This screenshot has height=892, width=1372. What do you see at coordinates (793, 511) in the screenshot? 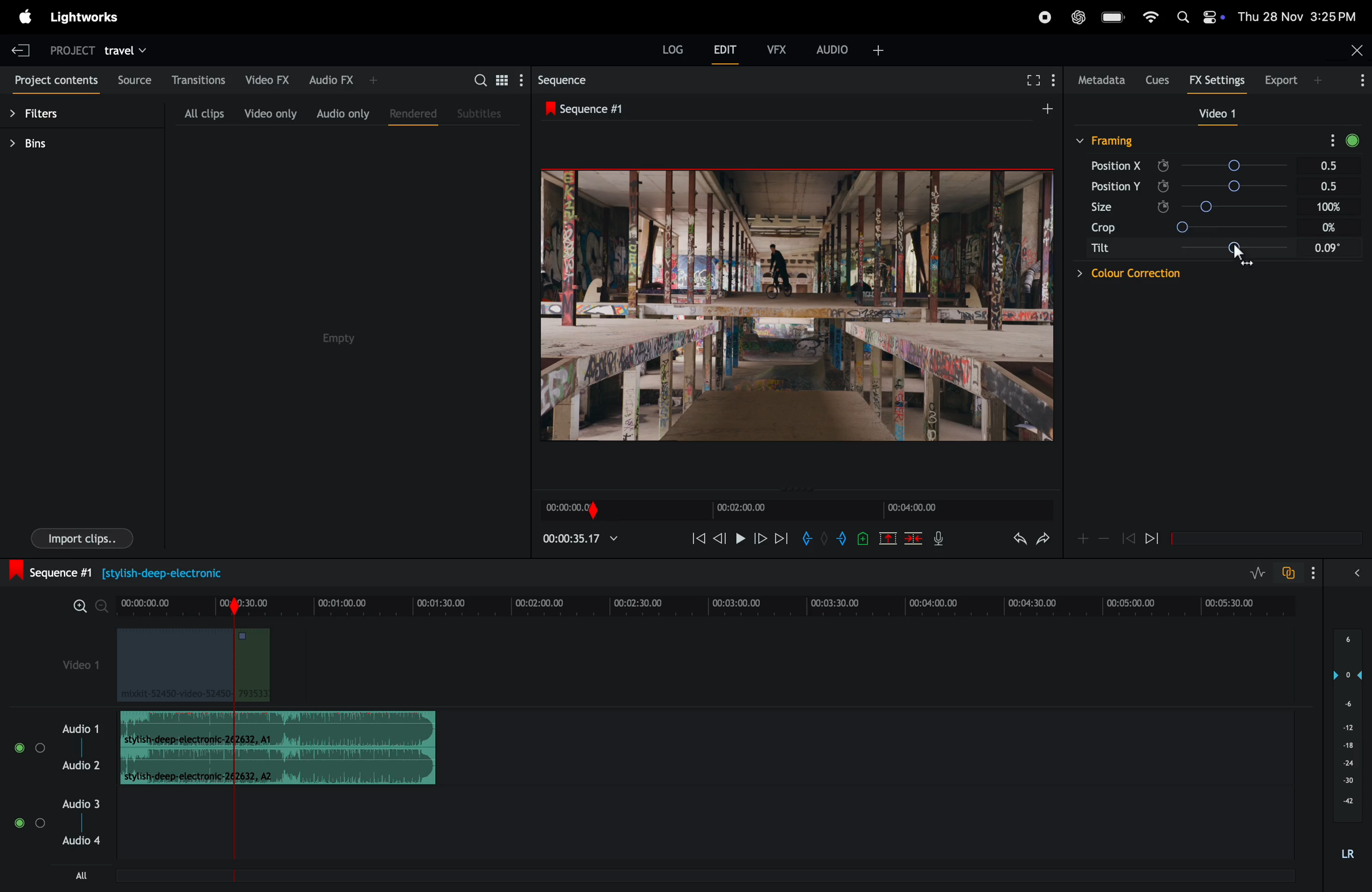
I see `time frames` at bounding box center [793, 511].